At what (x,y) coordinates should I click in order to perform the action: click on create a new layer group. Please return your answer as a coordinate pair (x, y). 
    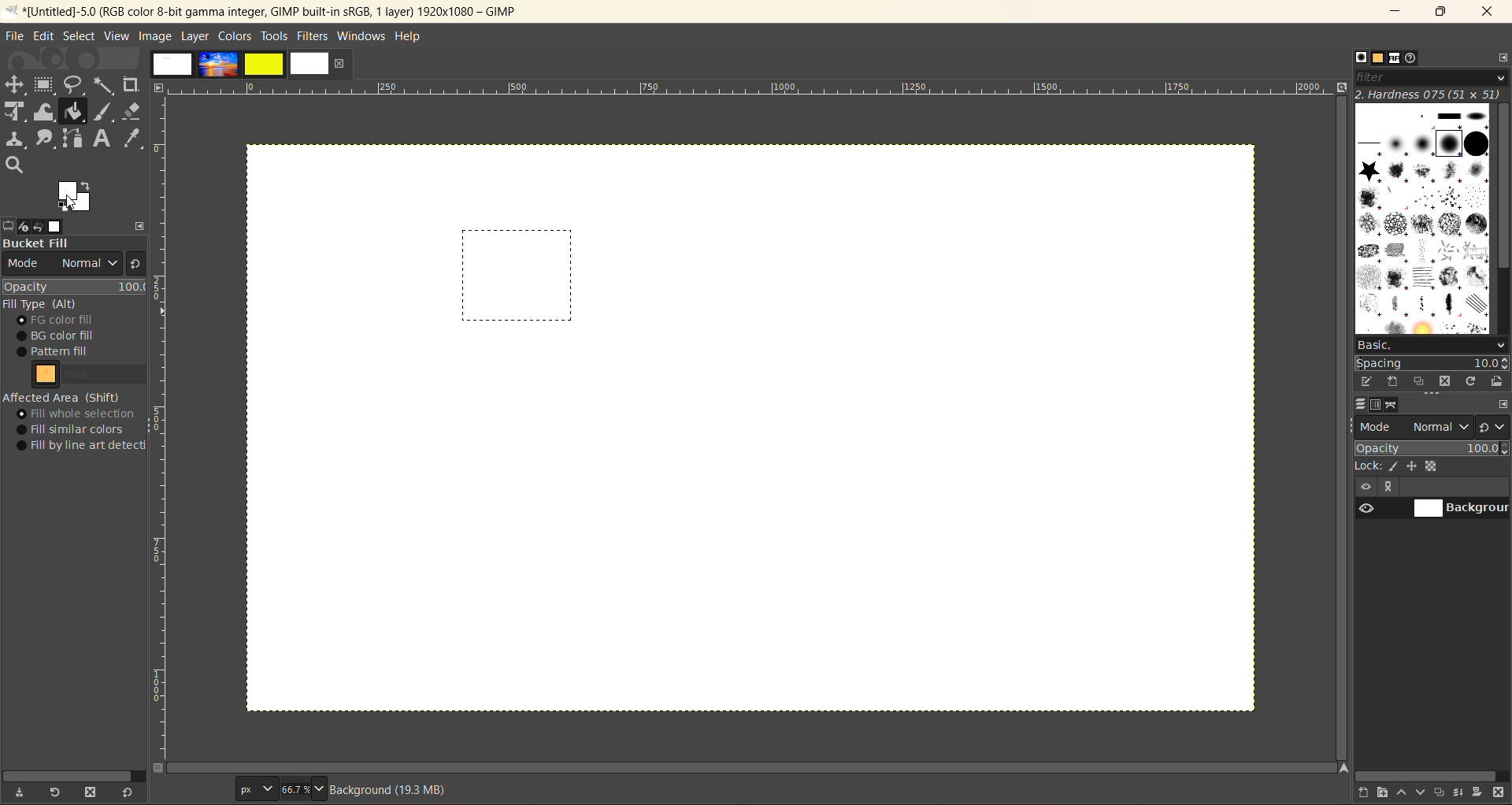
    Looking at the image, I should click on (1385, 793).